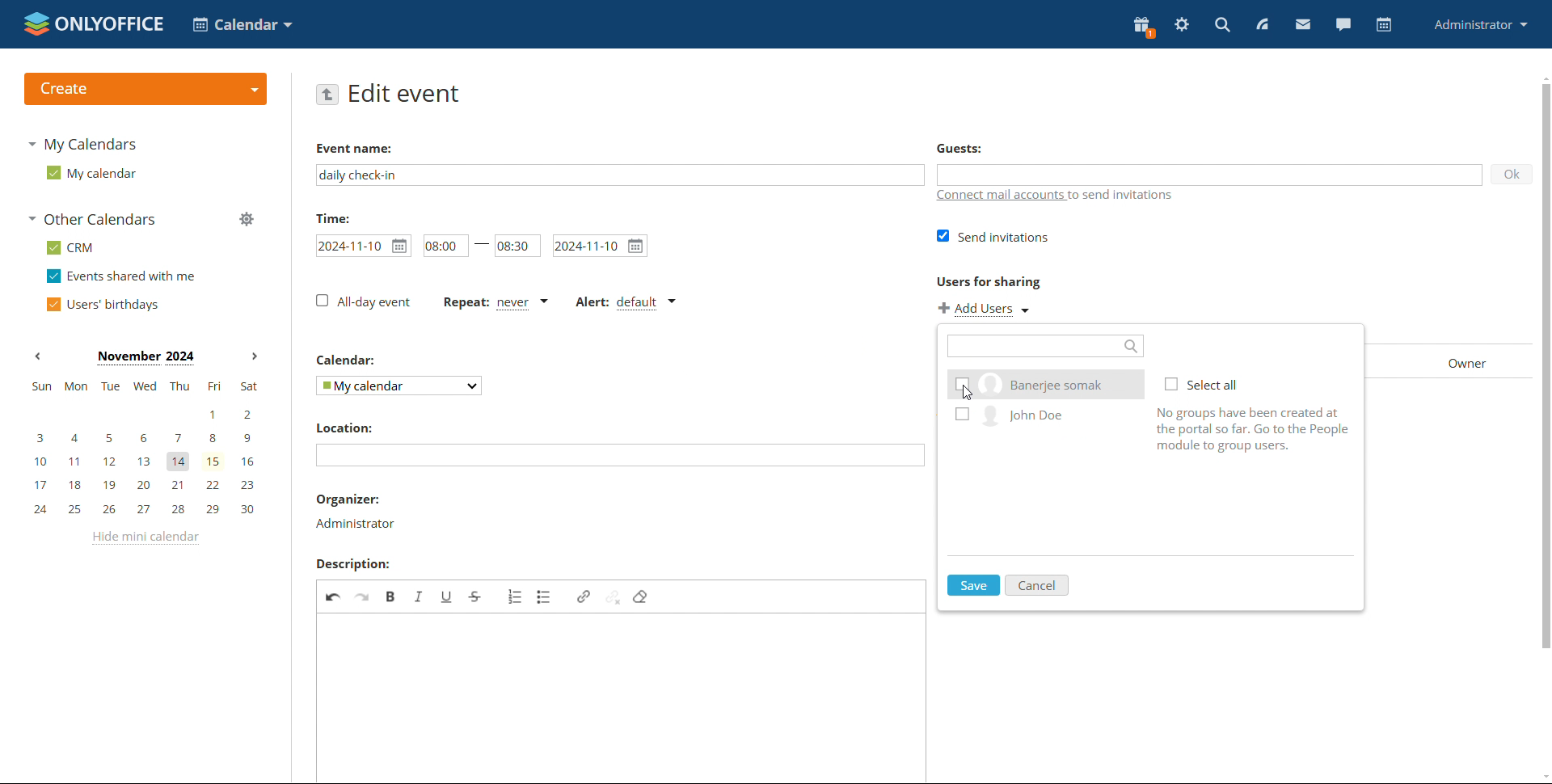 Image resolution: width=1552 pixels, height=784 pixels. What do you see at coordinates (349, 361) in the screenshot?
I see `calendar:` at bounding box center [349, 361].